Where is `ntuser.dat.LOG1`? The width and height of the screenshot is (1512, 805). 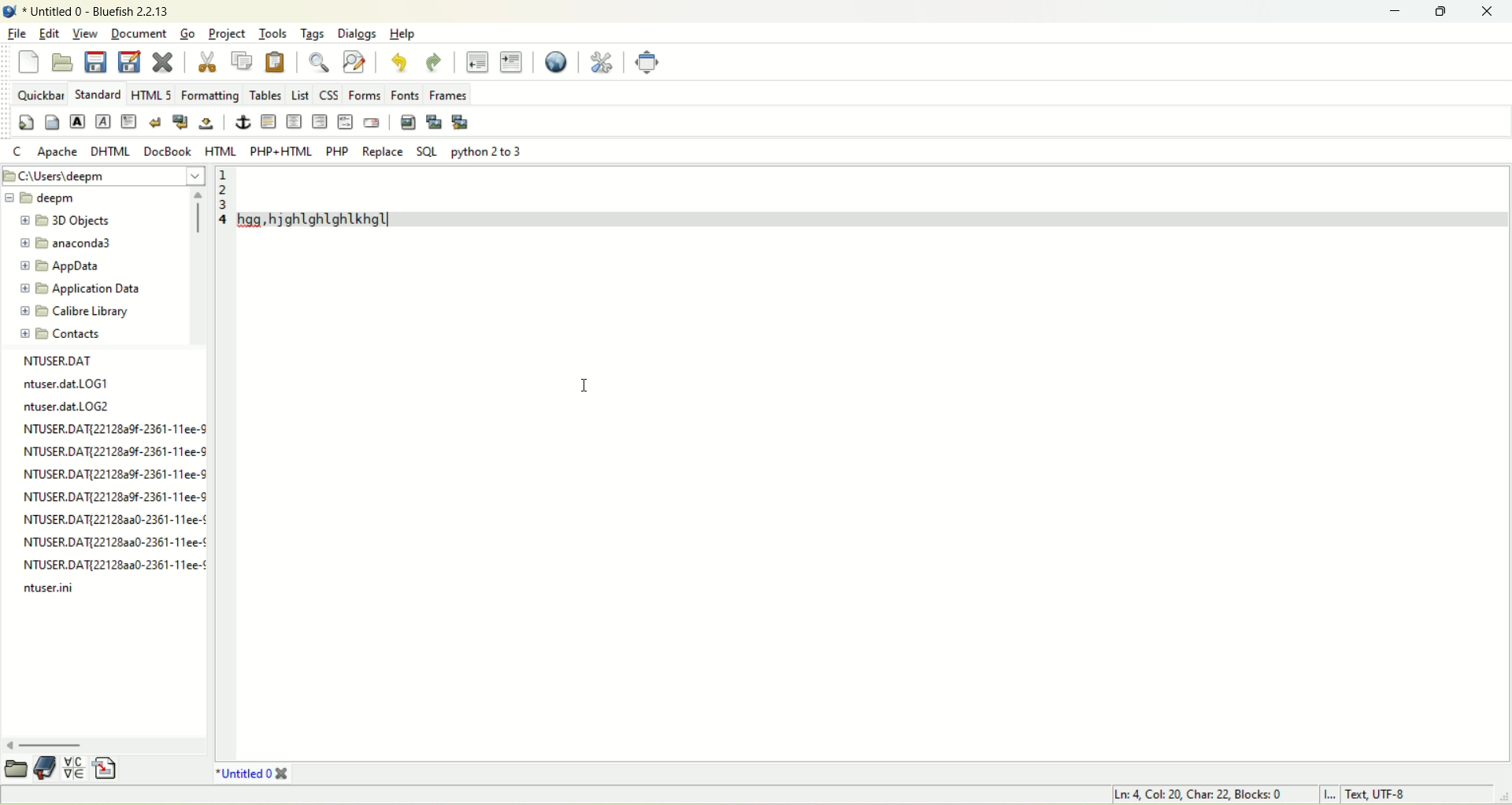
ntuser.dat.LOG1 is located at coordinates (63, 382).